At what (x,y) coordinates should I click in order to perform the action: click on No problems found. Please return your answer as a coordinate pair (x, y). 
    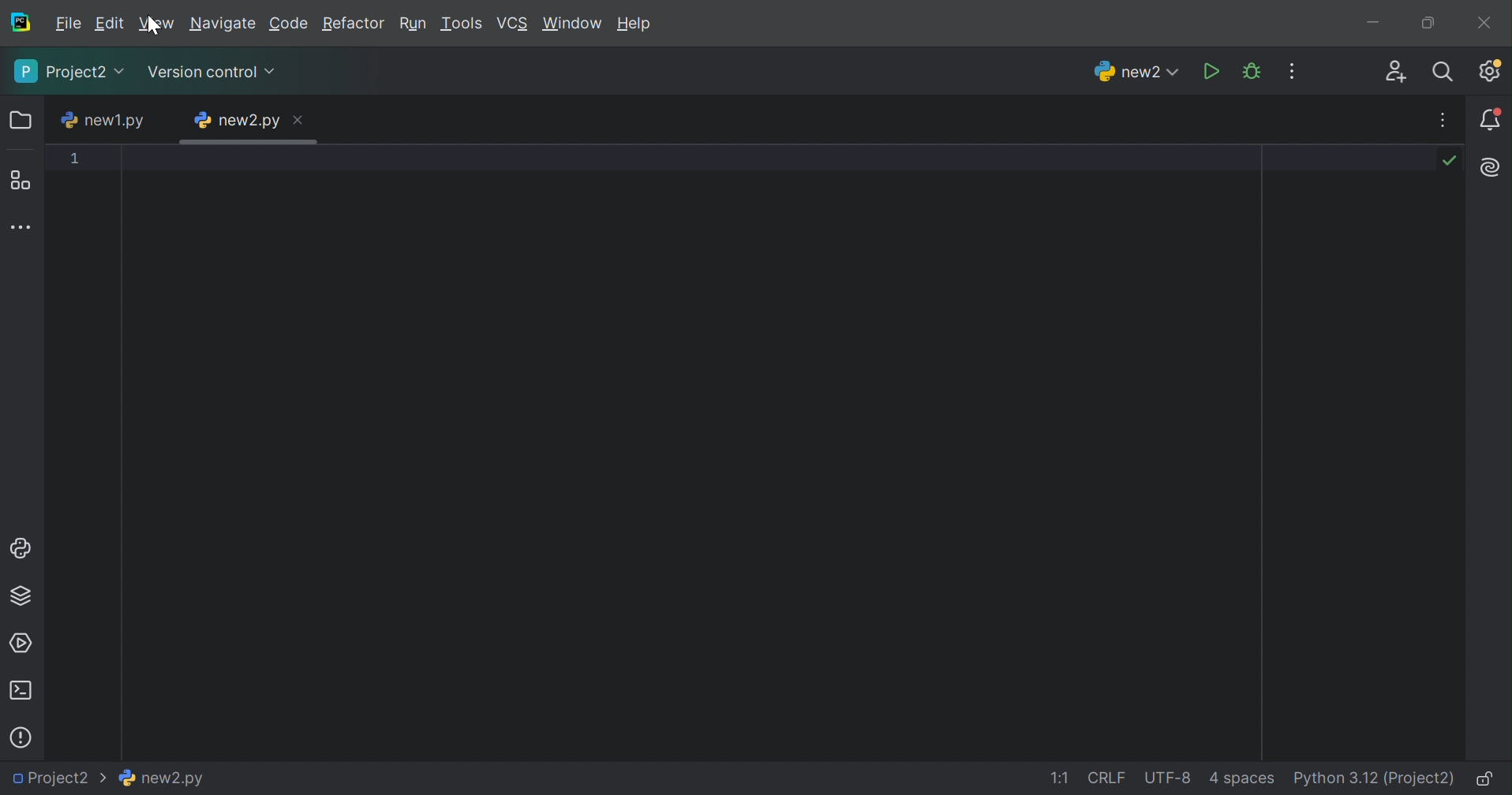
    Looking at the image, I should click on (1448, 161).